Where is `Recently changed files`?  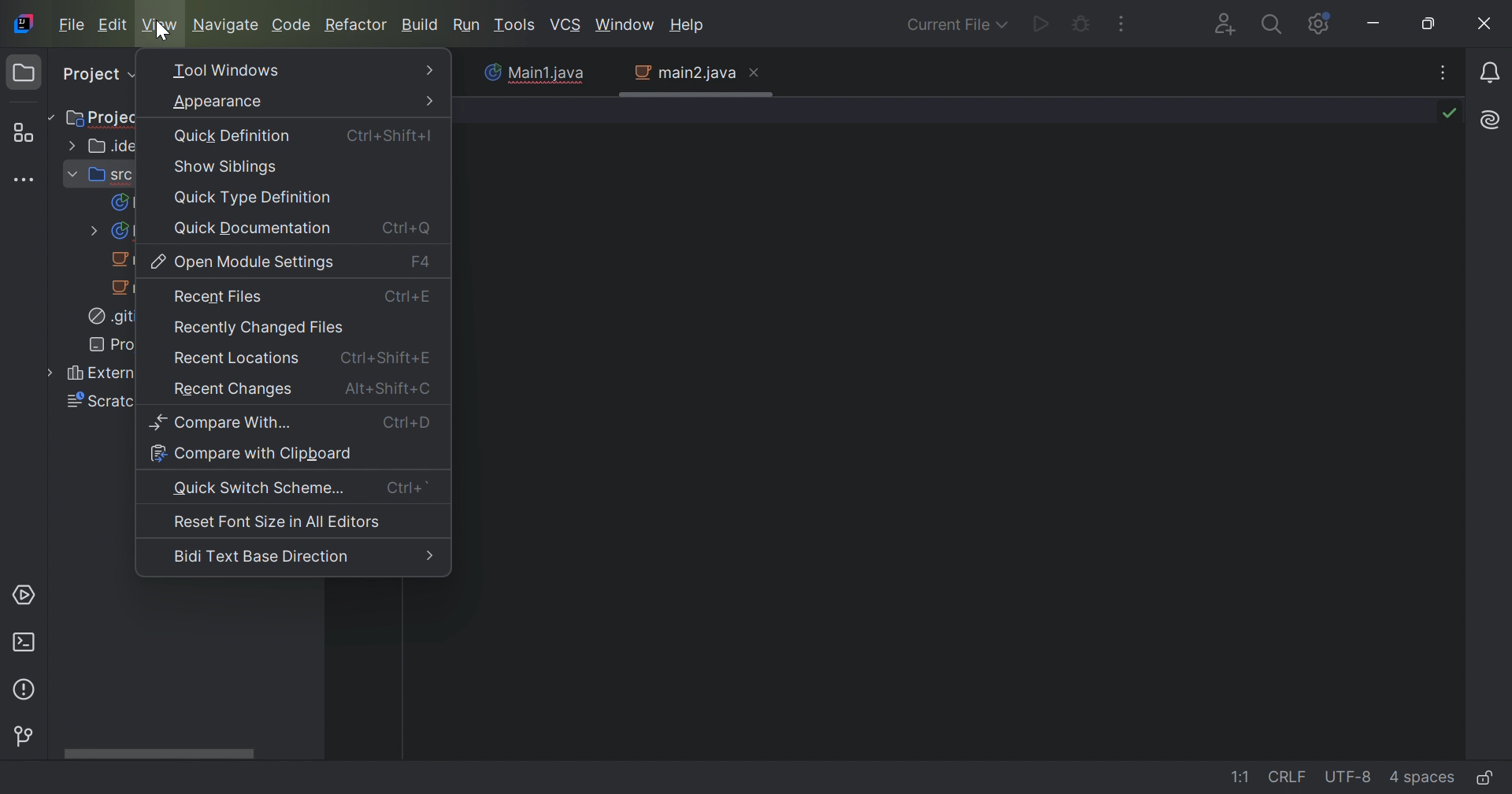 Recently changed files is located at coordinates (258, 330).